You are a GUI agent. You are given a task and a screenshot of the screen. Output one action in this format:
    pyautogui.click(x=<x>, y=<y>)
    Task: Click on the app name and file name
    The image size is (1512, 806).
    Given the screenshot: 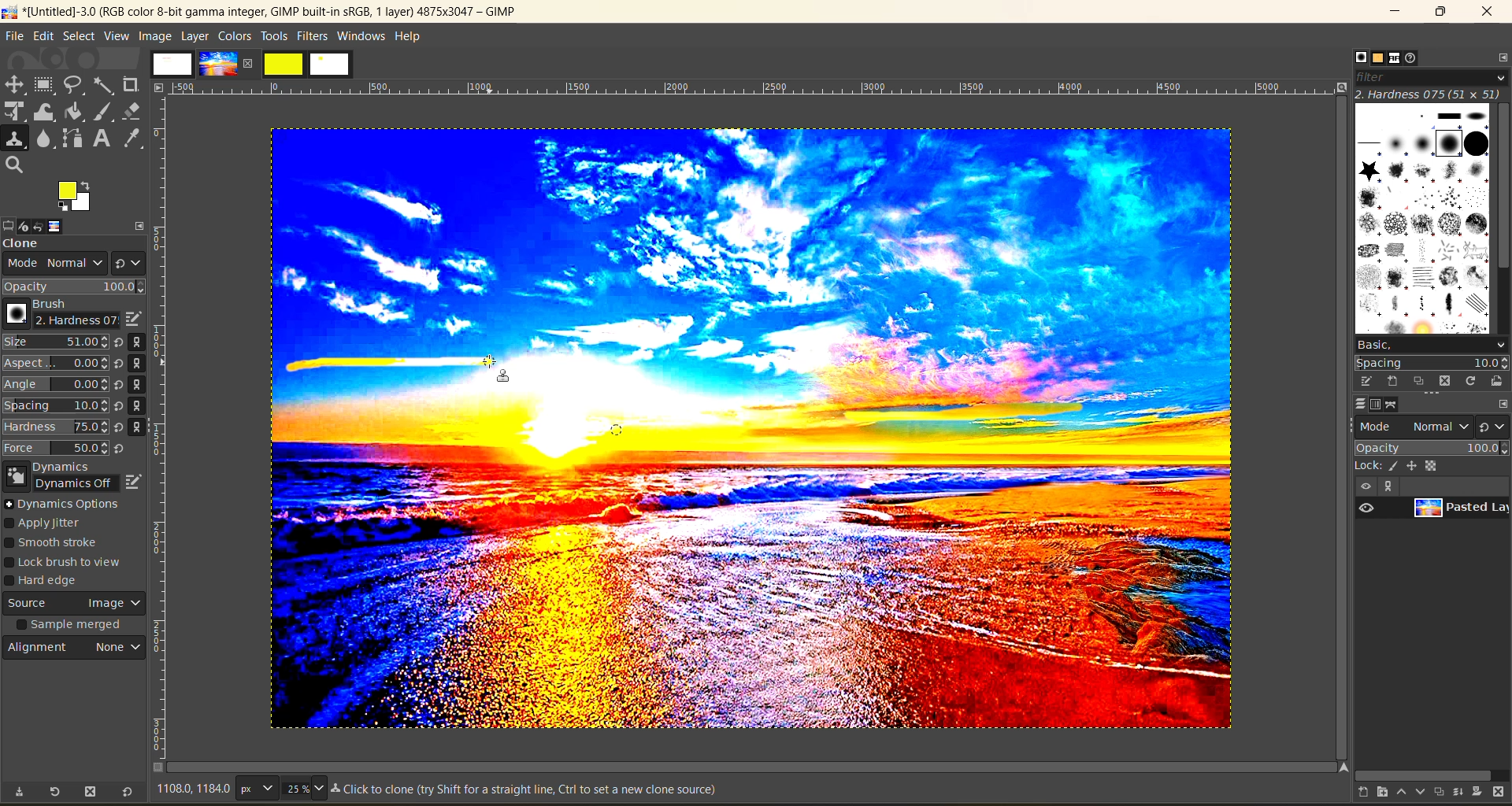 What is the action you would take?
    pyautogui.click(x=261, y=11)
    